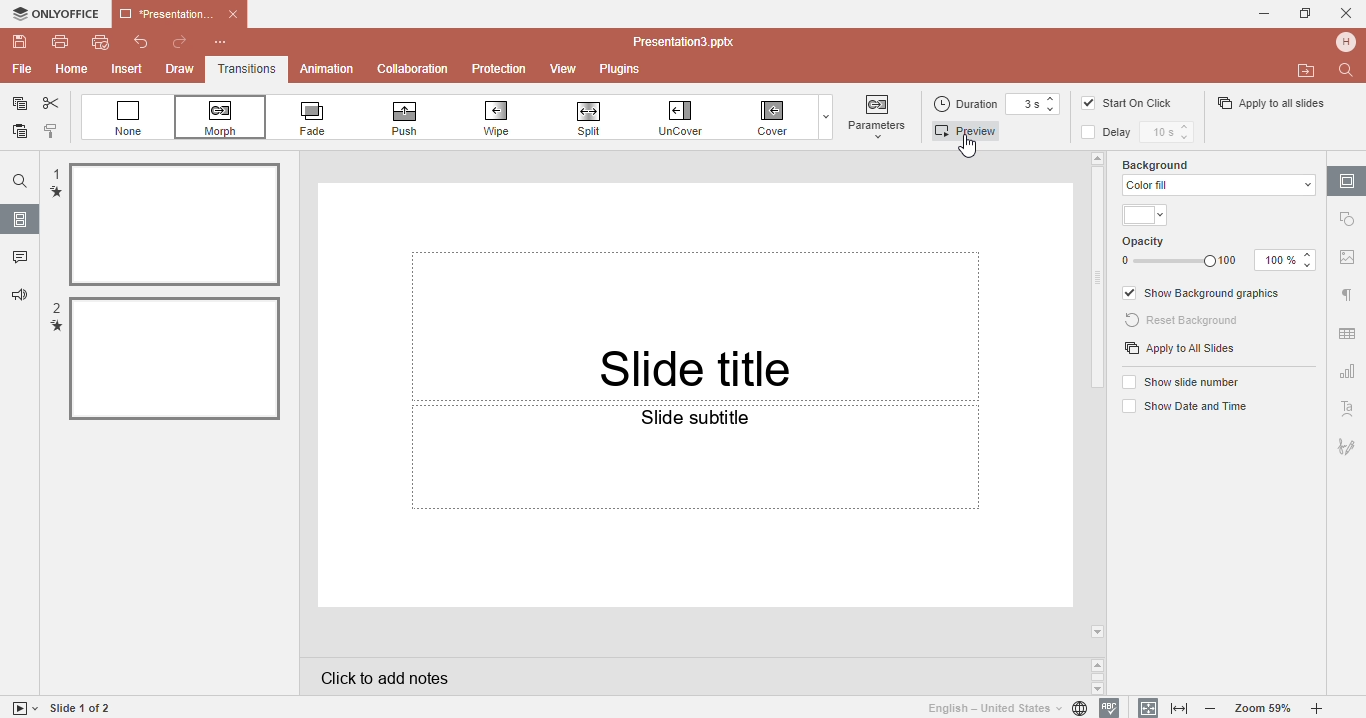  Describe the element at coordinates (1270, 103) in the screenshot. I see `Apply to all slides` at that location.